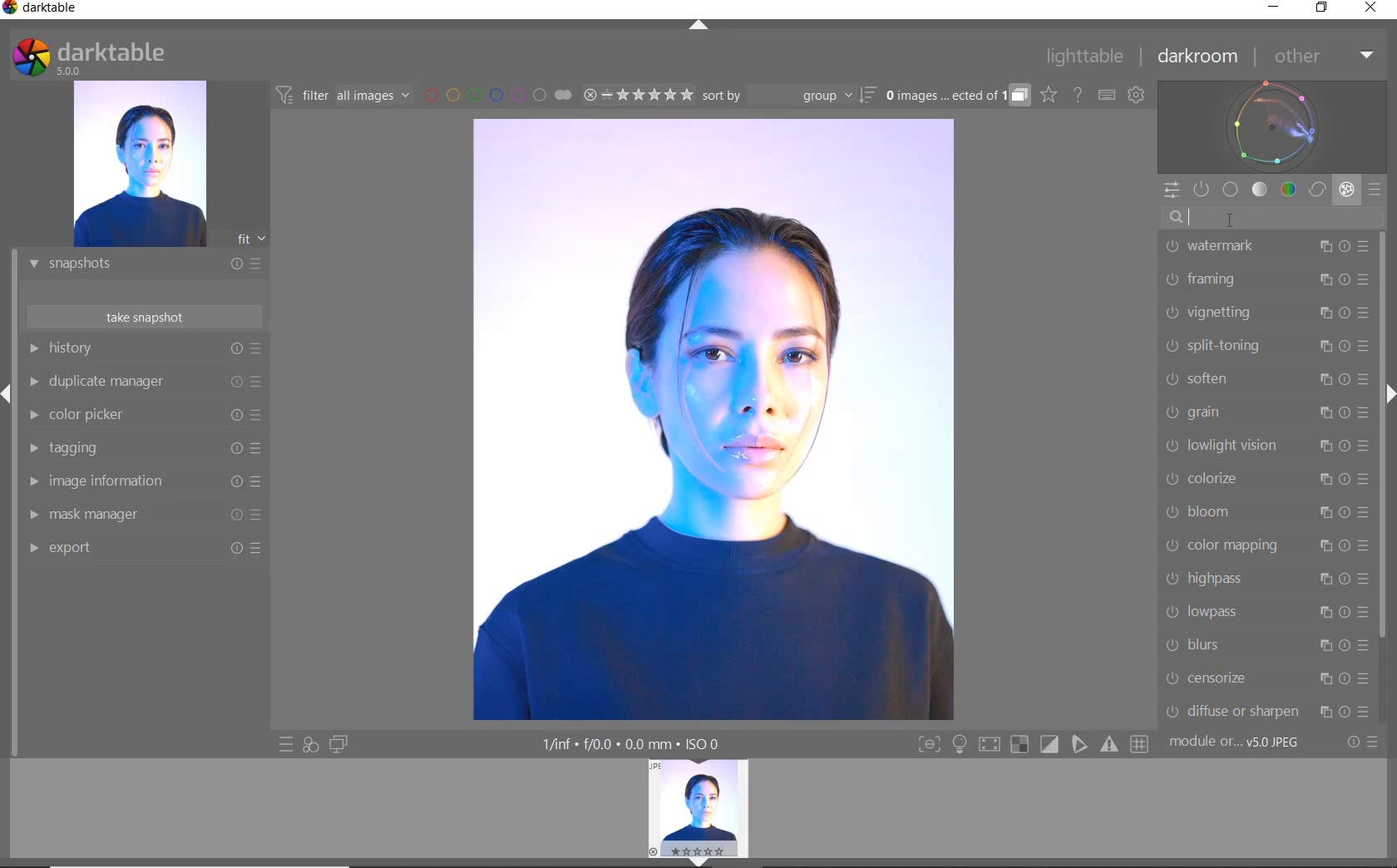 This screenshot has height=868, width=1397. Describe the element at coordinates (1289, 189) in the screenshot. I see `COLOR` at that location.